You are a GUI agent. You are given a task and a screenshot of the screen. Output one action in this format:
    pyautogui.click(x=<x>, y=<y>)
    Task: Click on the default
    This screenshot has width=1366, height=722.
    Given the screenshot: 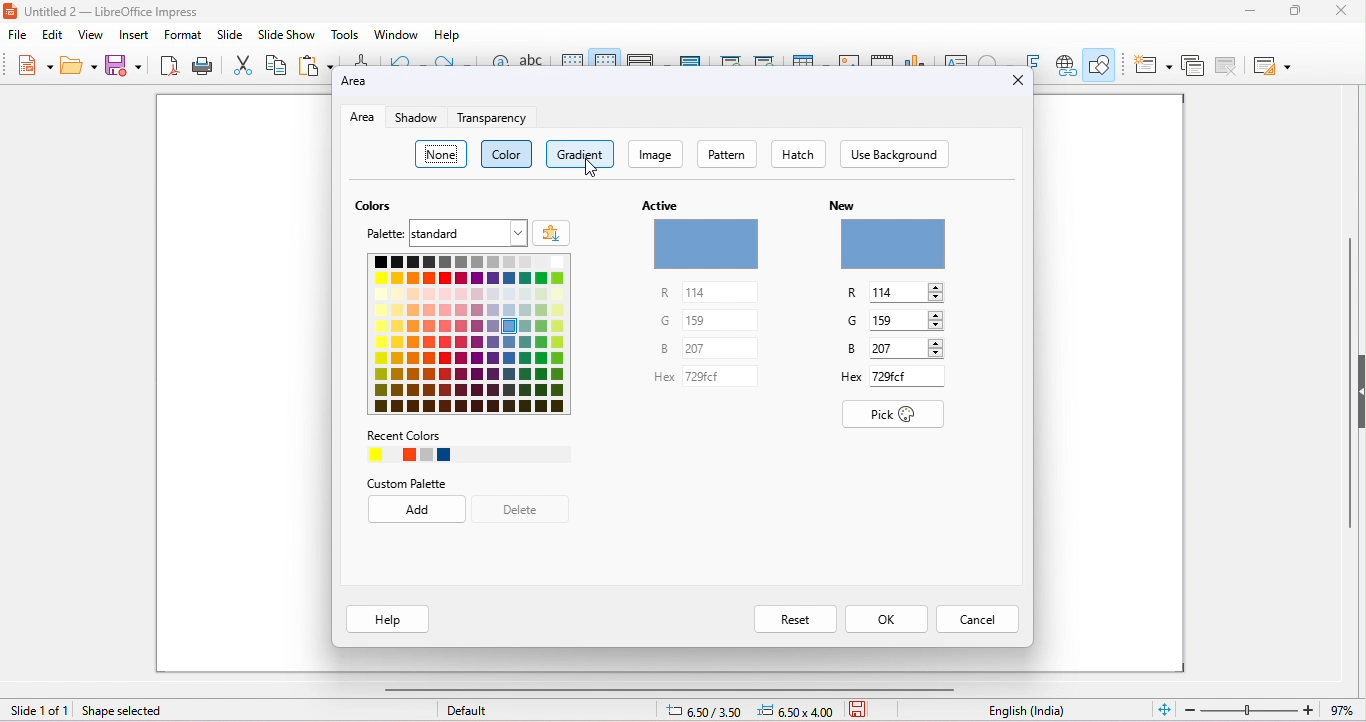 What is the action you would take?
    pyautogui.click(x=468, y=710)
    